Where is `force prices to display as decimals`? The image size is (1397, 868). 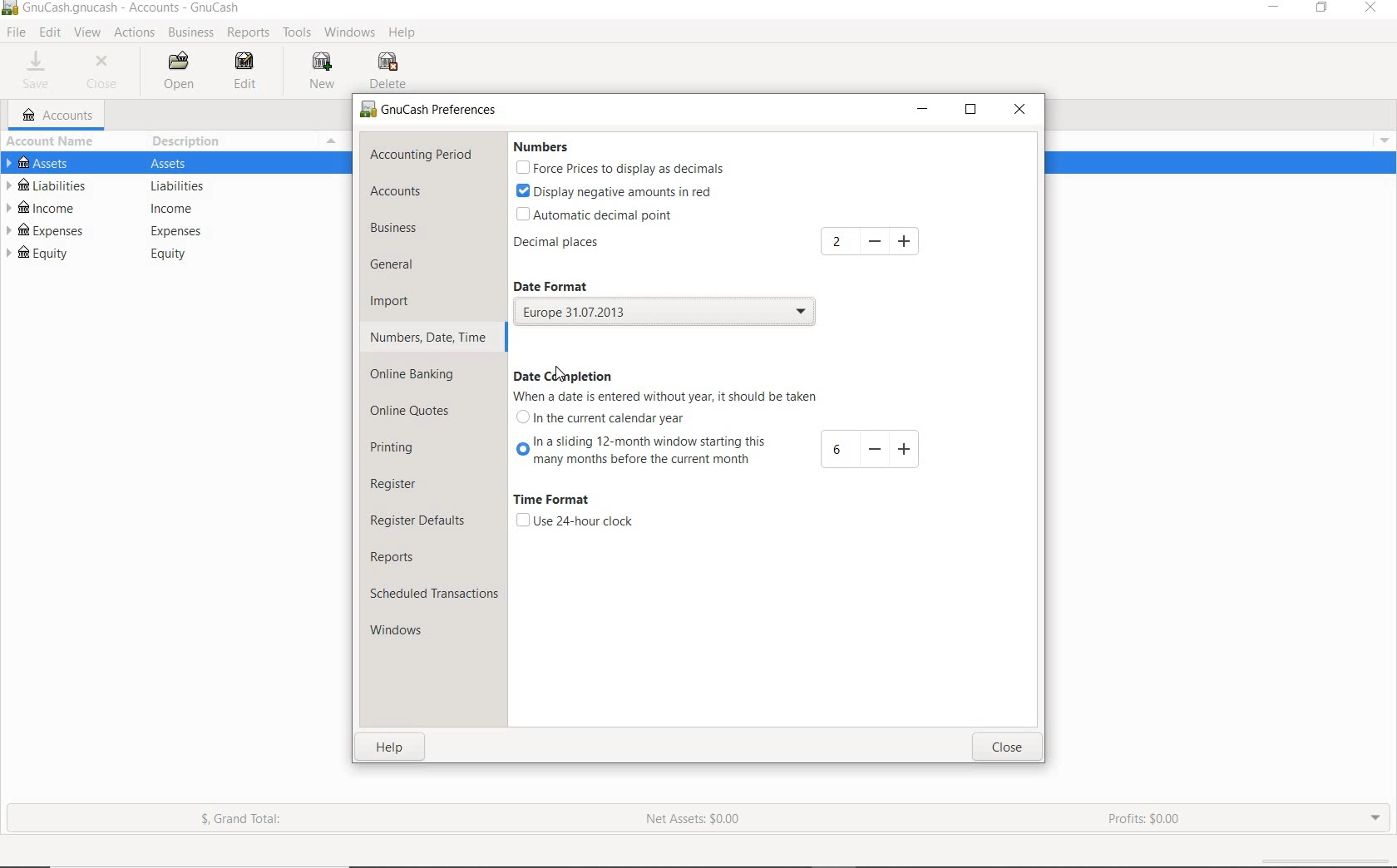
force prices to display as decimals is located at coordinates (620, 170).